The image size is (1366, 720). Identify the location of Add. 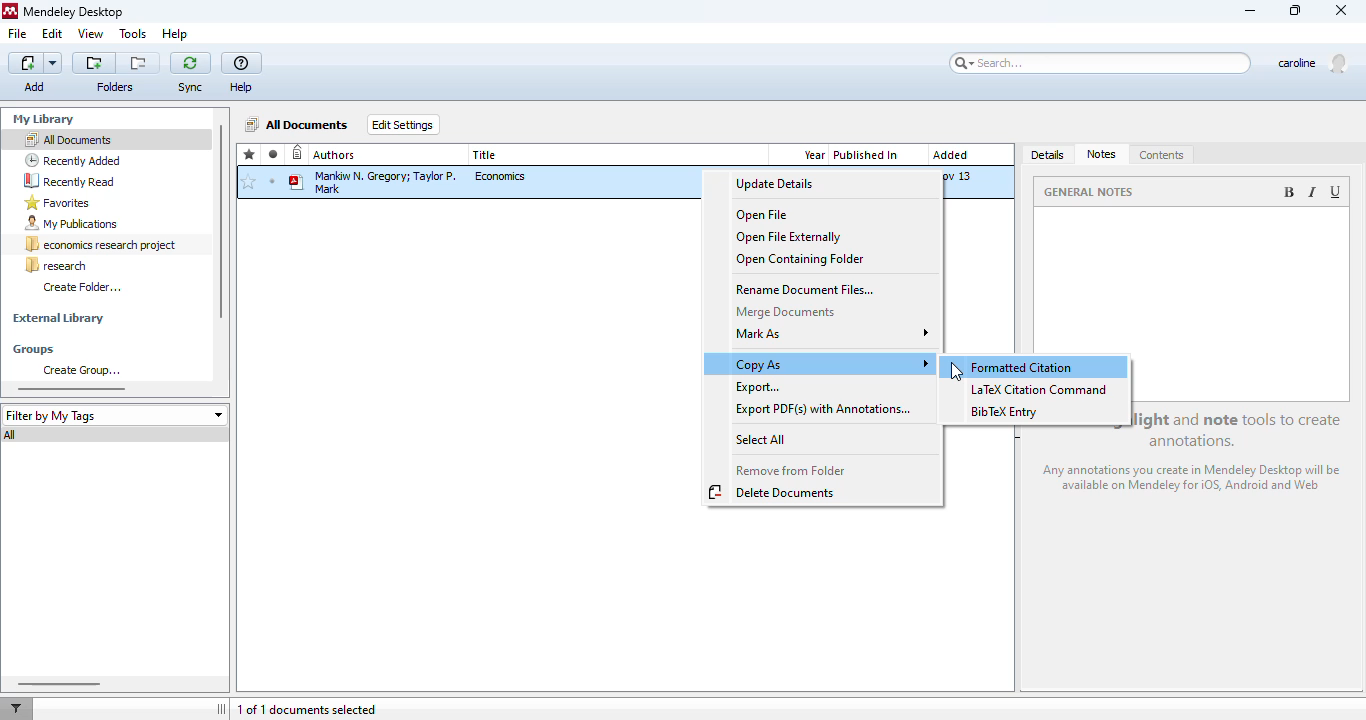
(36, 86).